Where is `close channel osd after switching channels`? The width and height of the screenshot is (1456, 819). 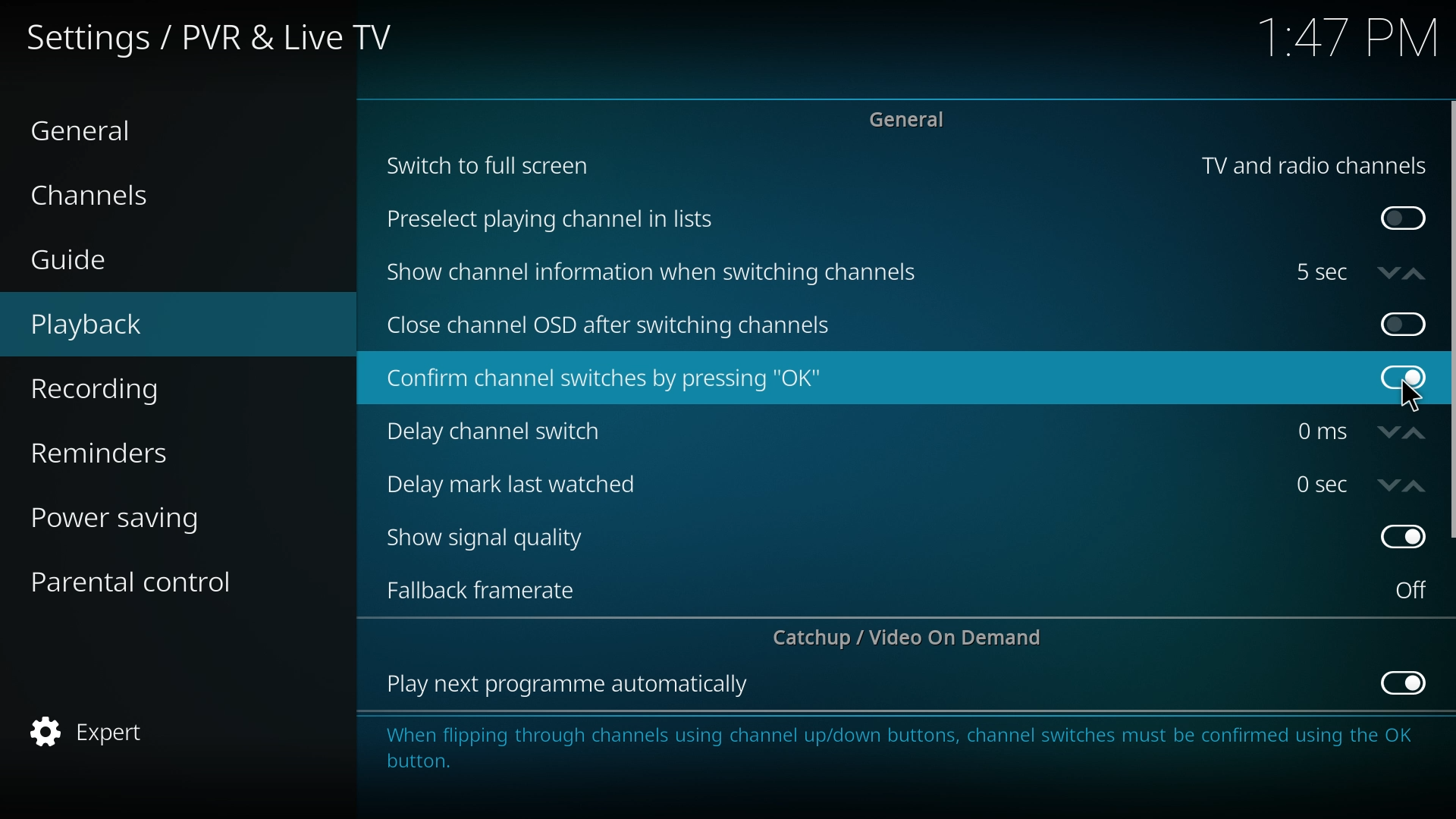 close channel osd after switching channels is located at coordinates (613, 327).